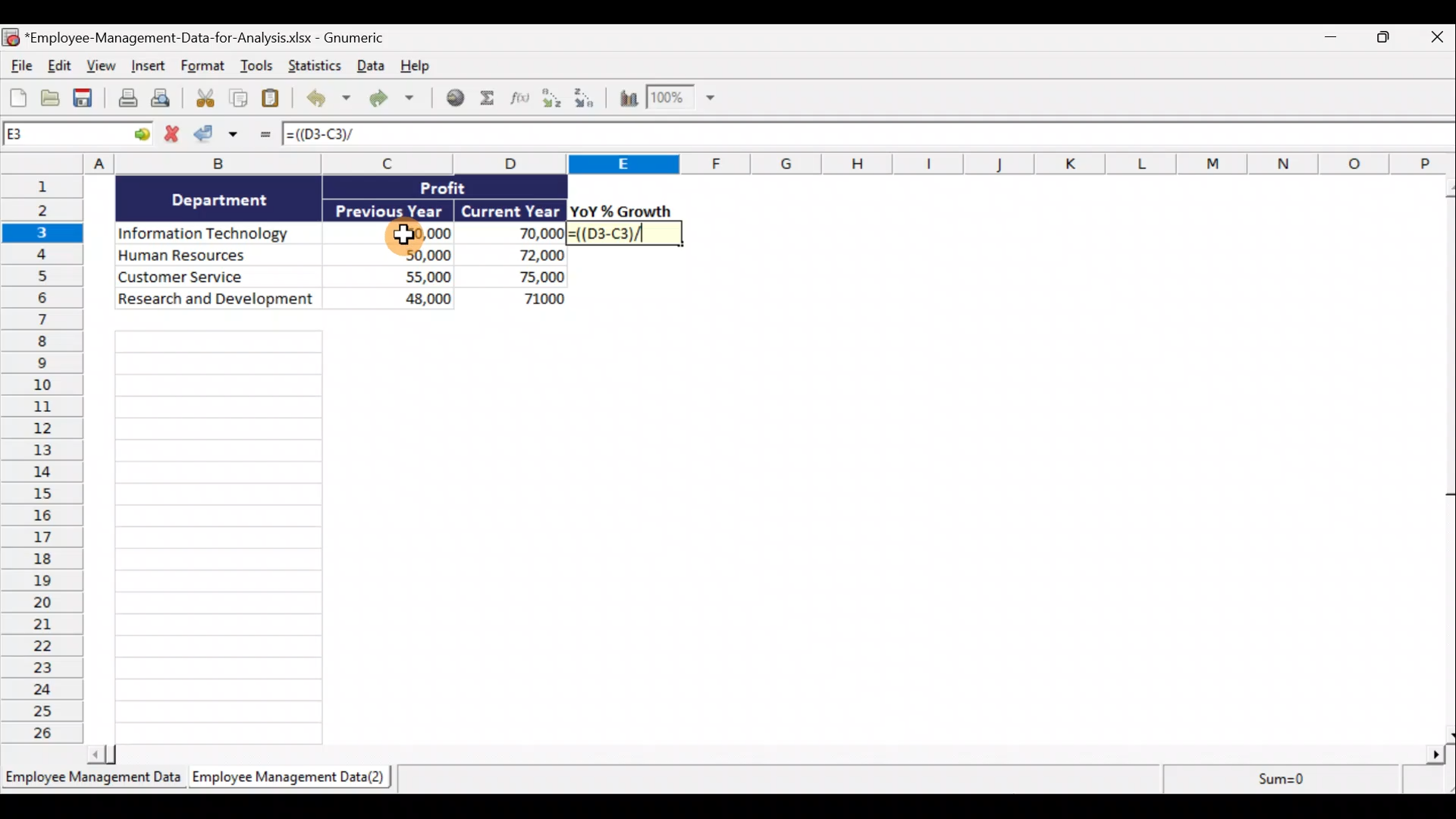 The width and height of the screenshot is (1456, 819). What do you see at coordinates (325, 137) in the screenshot?
I see `=((D3-C3)/` at bounding box center [325, 137].